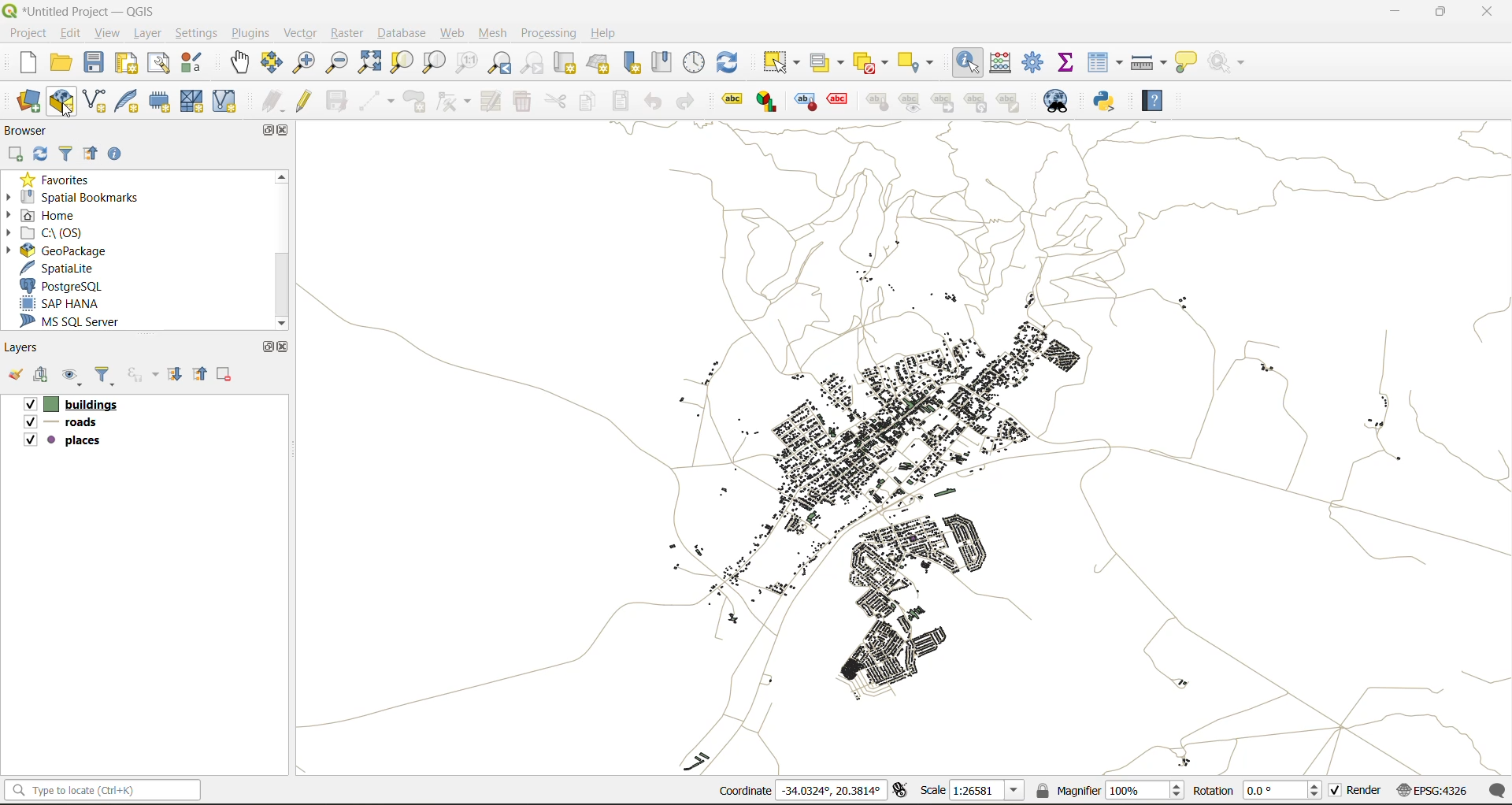 The image size is (1512, 805). Describe the element at coordinates (151, 34) in the screenshot. I see `layer` at that location.